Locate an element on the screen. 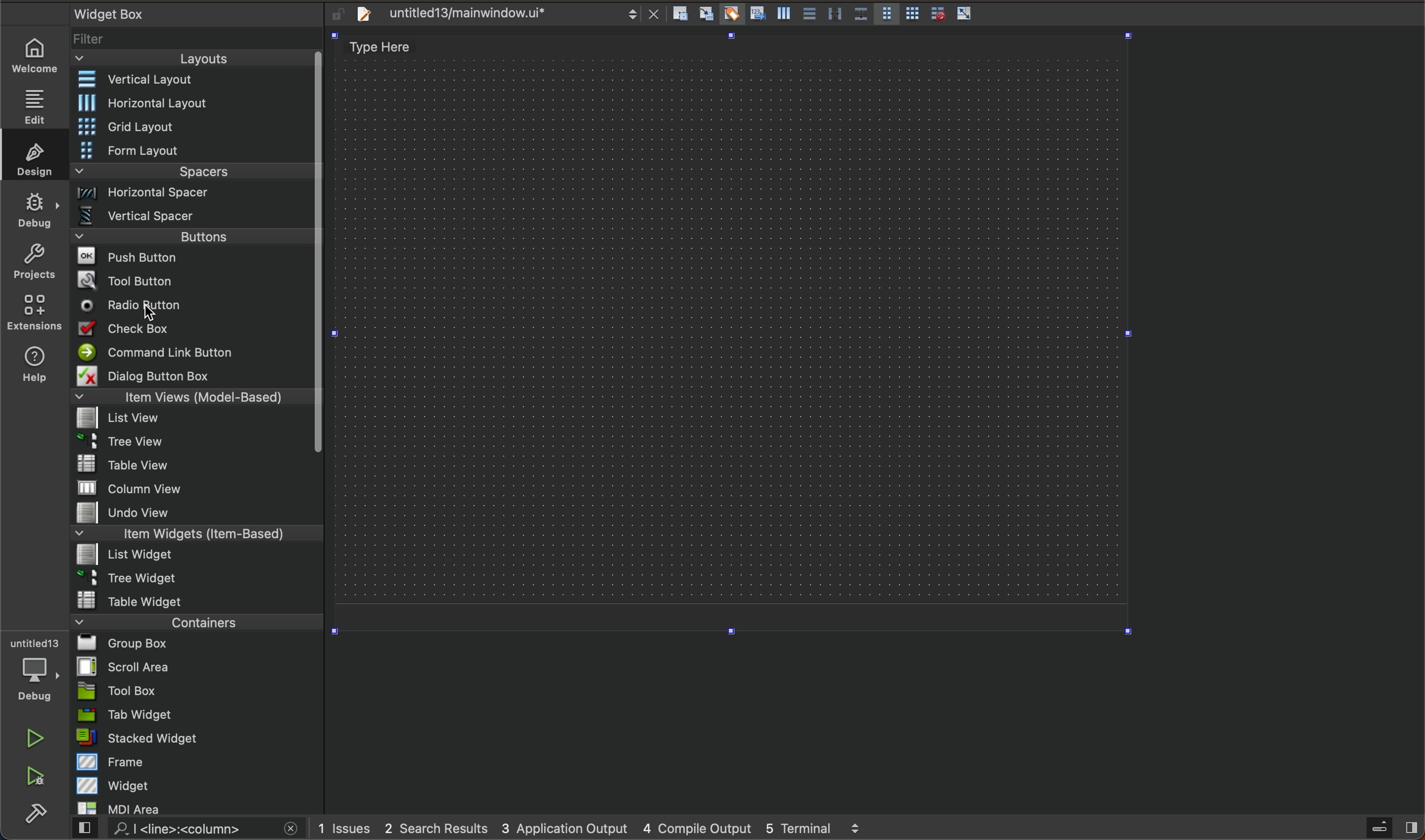 This screenshot has height=840, width=1425.  is located at coordinates (886, 15).